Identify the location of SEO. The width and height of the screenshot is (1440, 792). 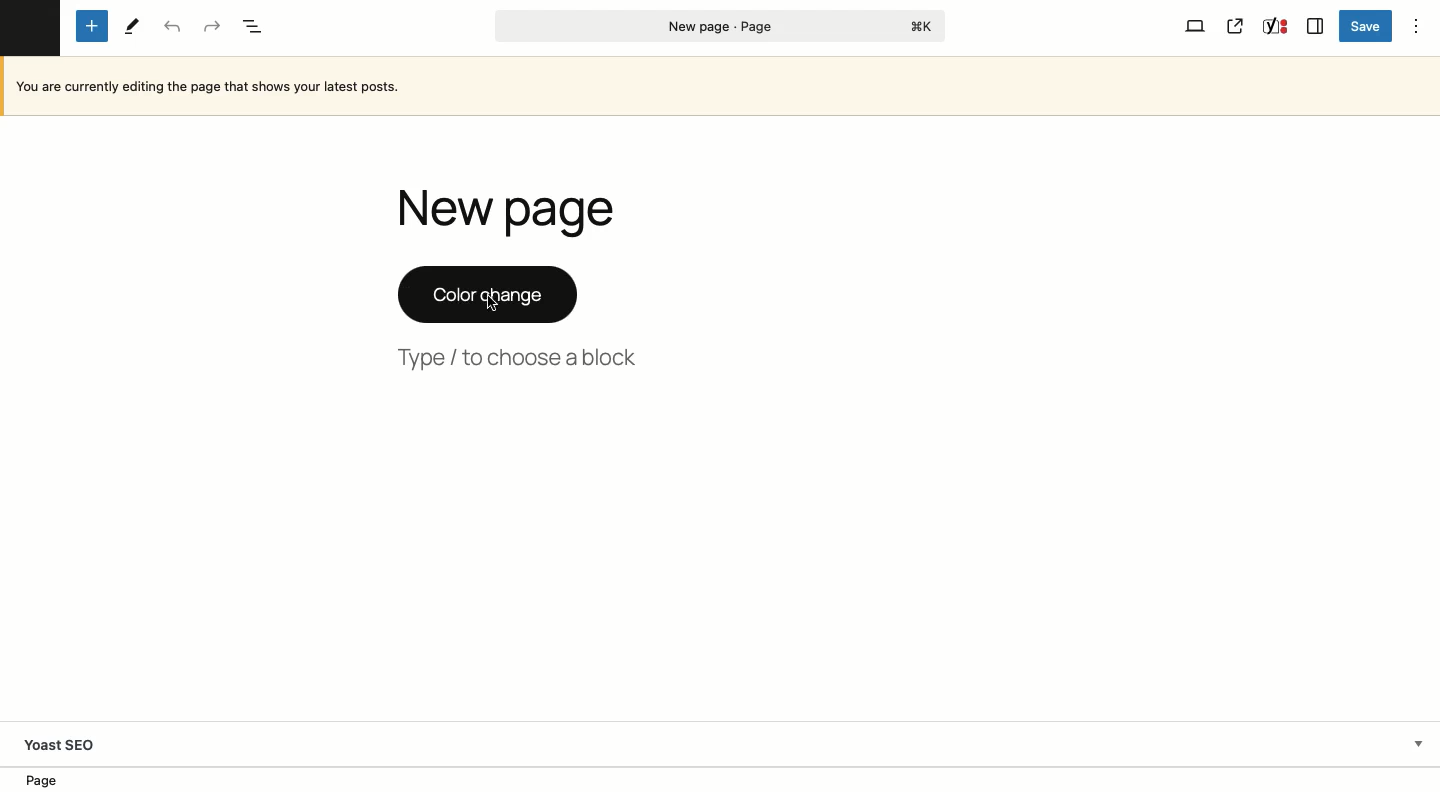
(1276, 26).